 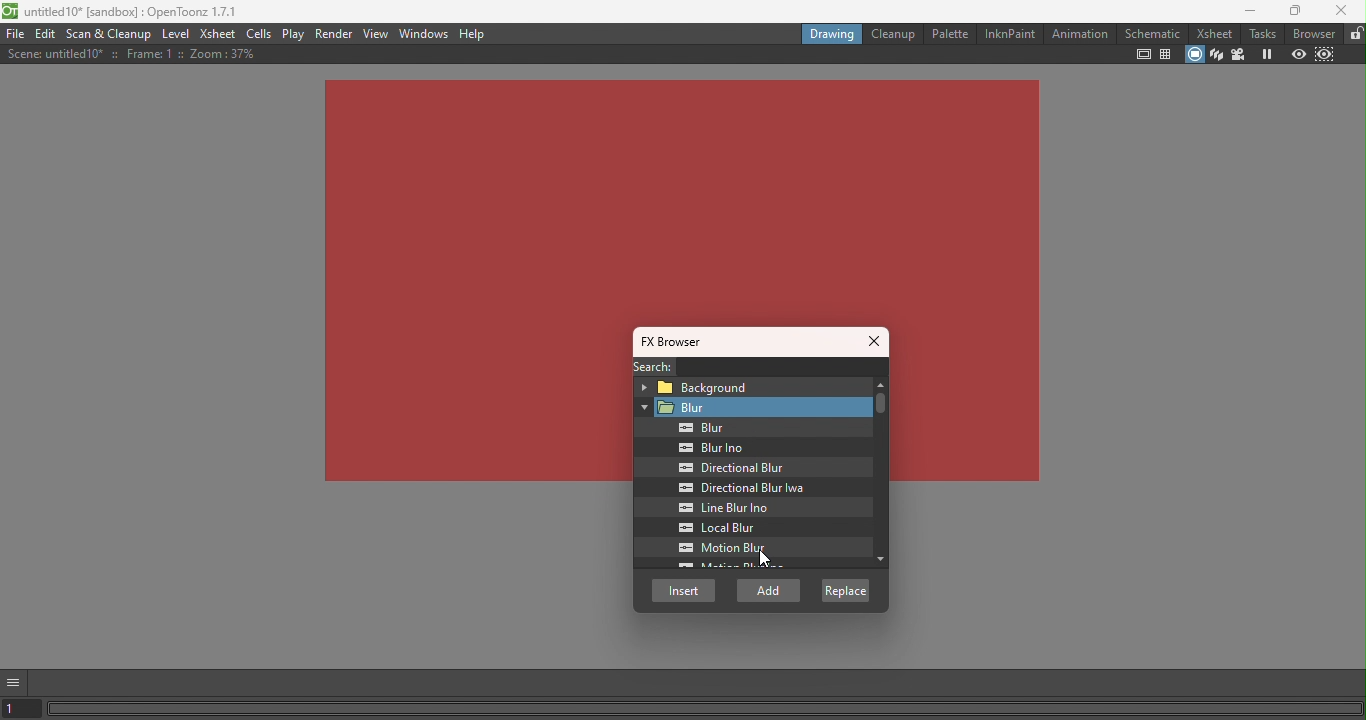 What do you see at coordinates (714, 448) in the screenshot?
I see `Blur inp` at bounding box center [714, 448].